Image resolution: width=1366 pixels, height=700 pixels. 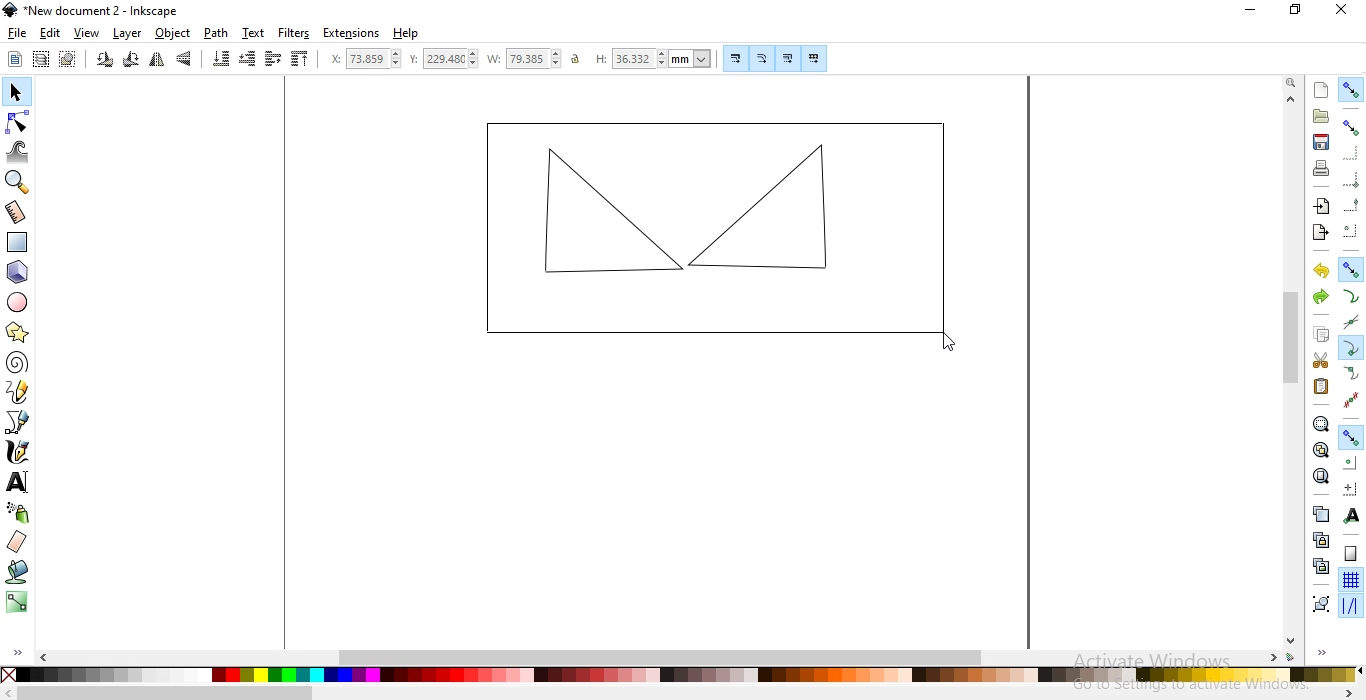 What do you see at coordinates (295, 34) in the screenshot?
I see `filters` at bounding box center [295, 34].